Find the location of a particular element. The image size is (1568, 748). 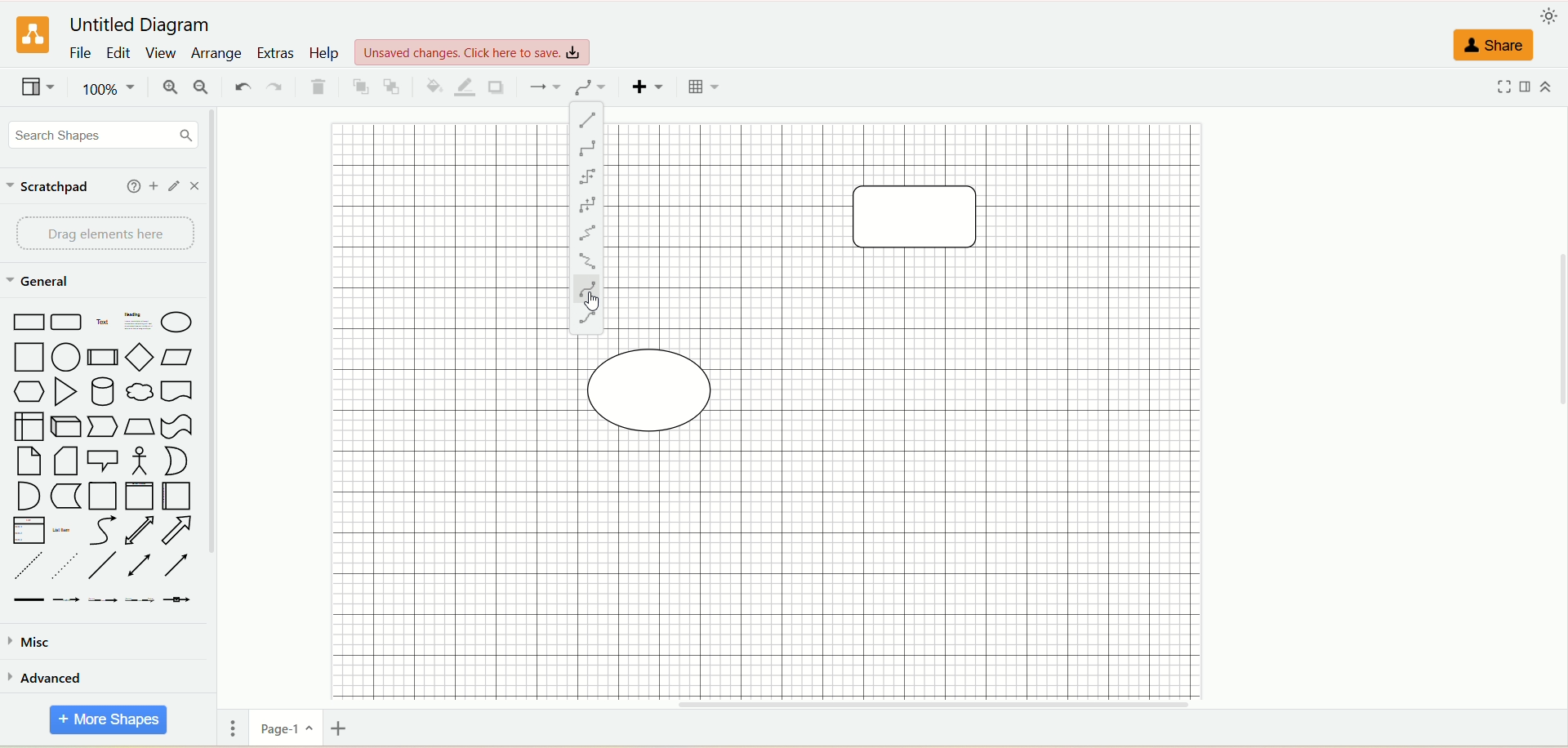

appearance is located at coordinates (1549, 16).